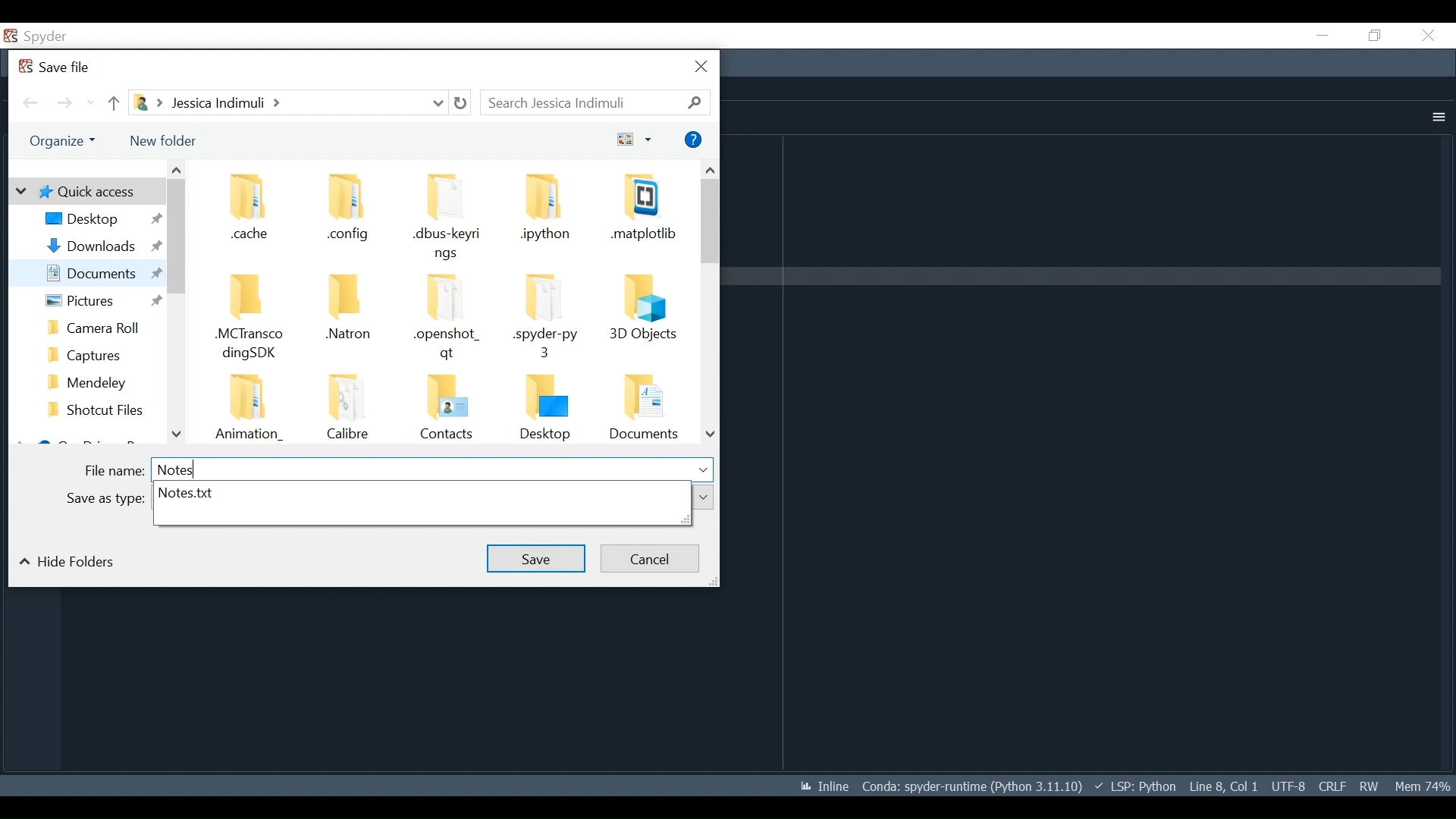  Describe the element at coordinates (97, 412) in the screenshot. I see `Folder` at that location.